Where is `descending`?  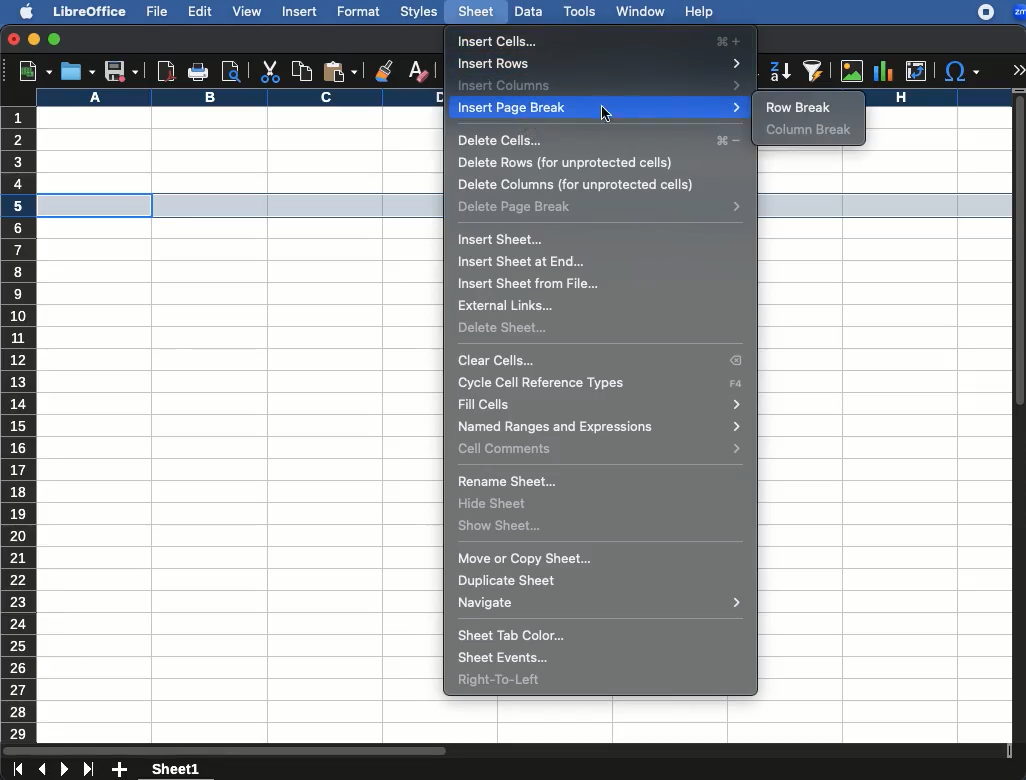 descending is located at coordinates (780, 71).